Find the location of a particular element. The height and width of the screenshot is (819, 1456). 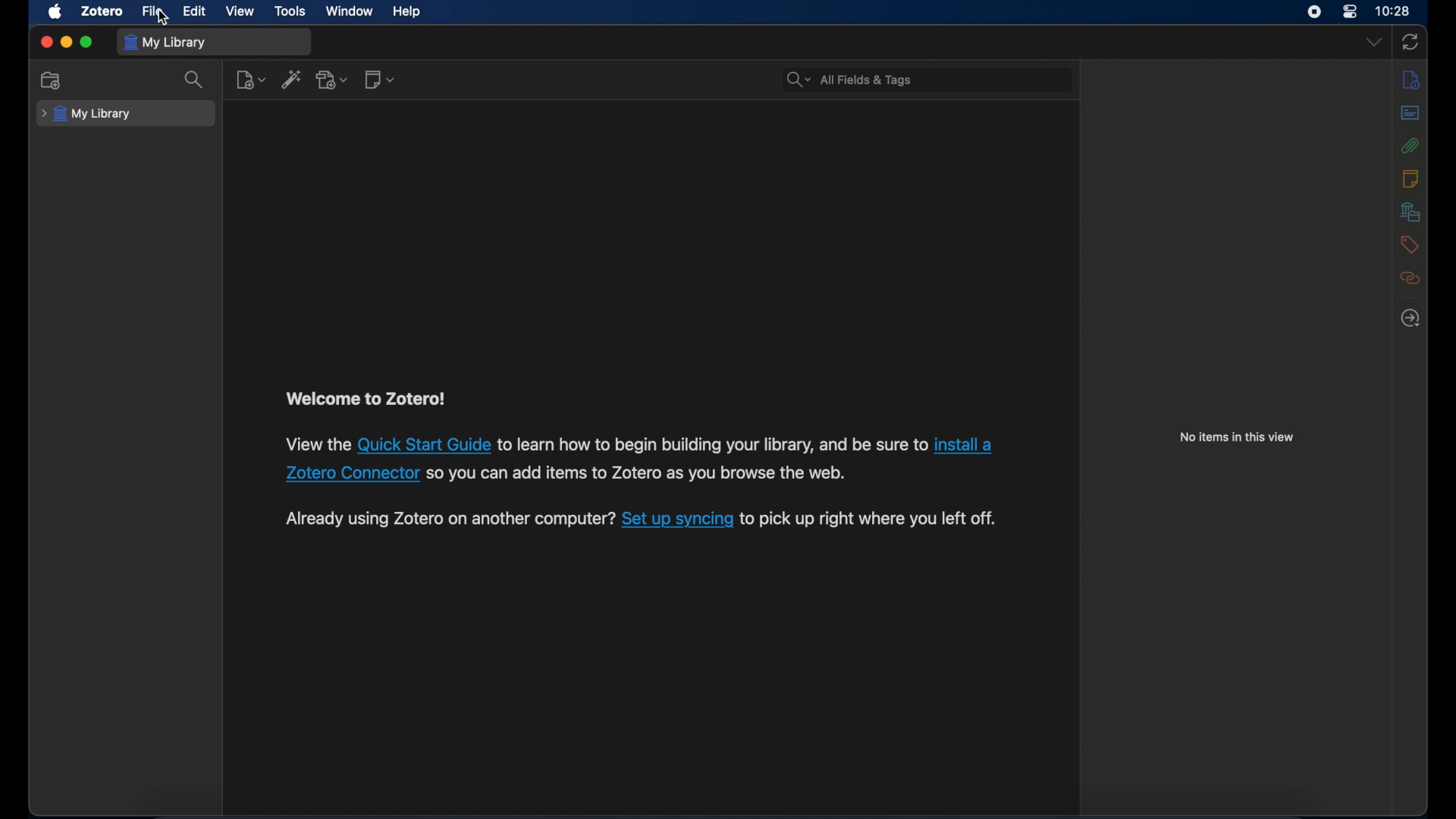

all fields & tags is located at coordinates (848, 79).